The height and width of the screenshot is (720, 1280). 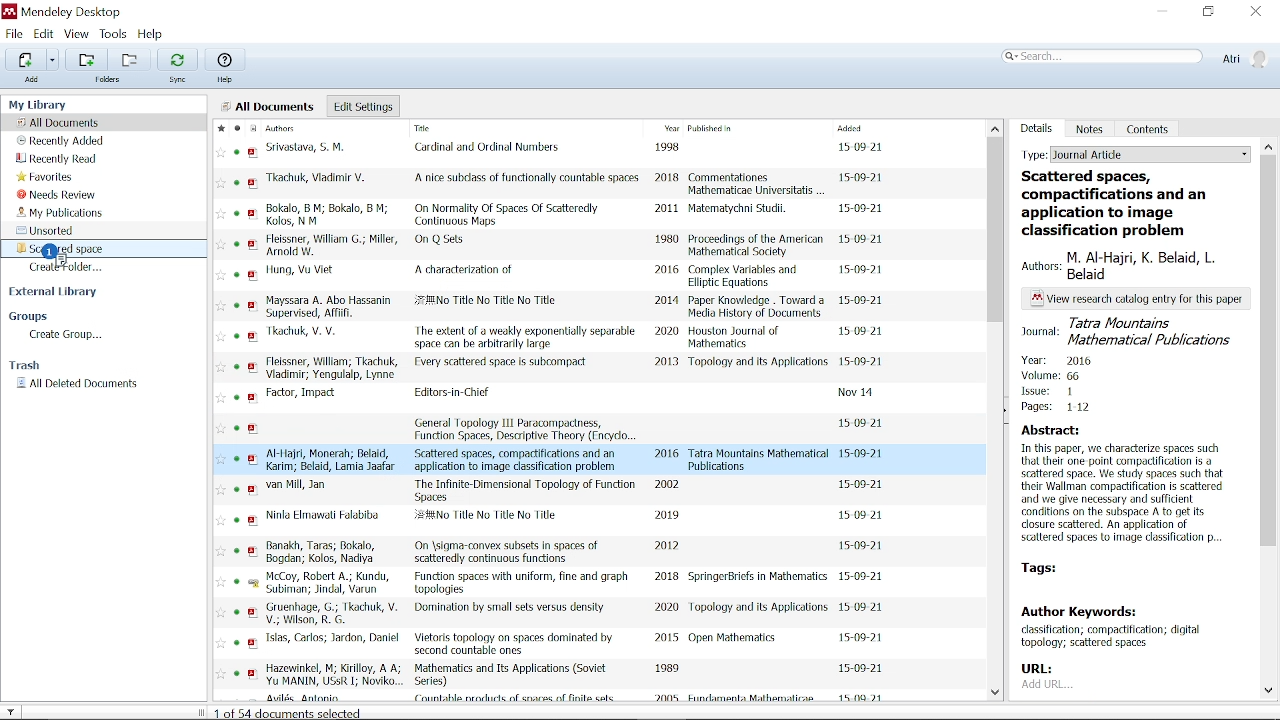 What do you see at coordinates (1102, 57) in the screenshot?
I see `Search` at bounding box center [1102, 57].